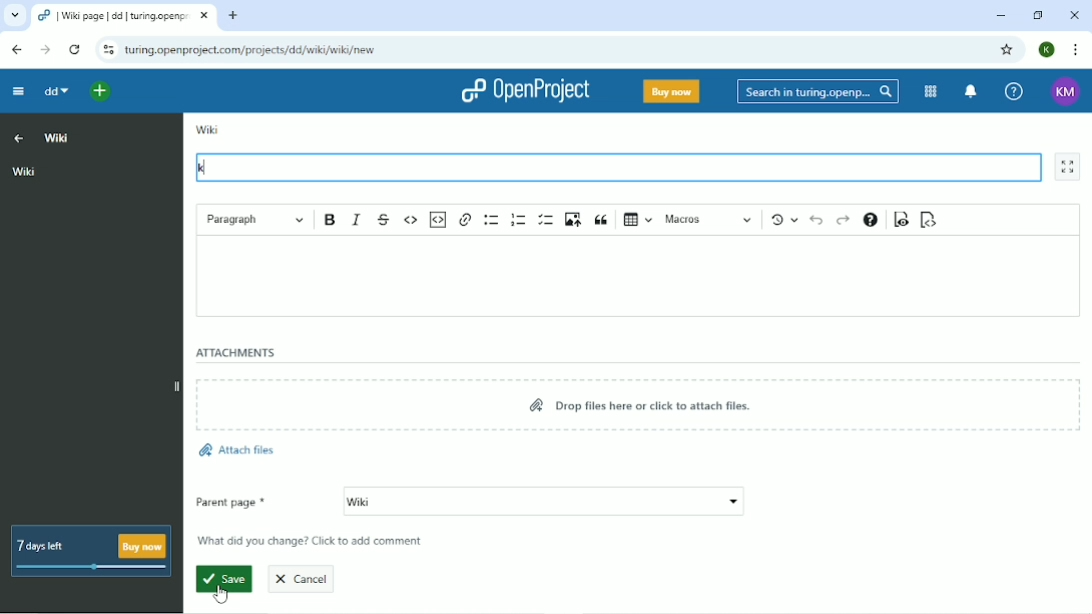 The width and height of the screenshot is (1092, 614). What do you see at coordinates (106, 50) in the screenshot?
I see `View site information` at bounding box center [106, 50].